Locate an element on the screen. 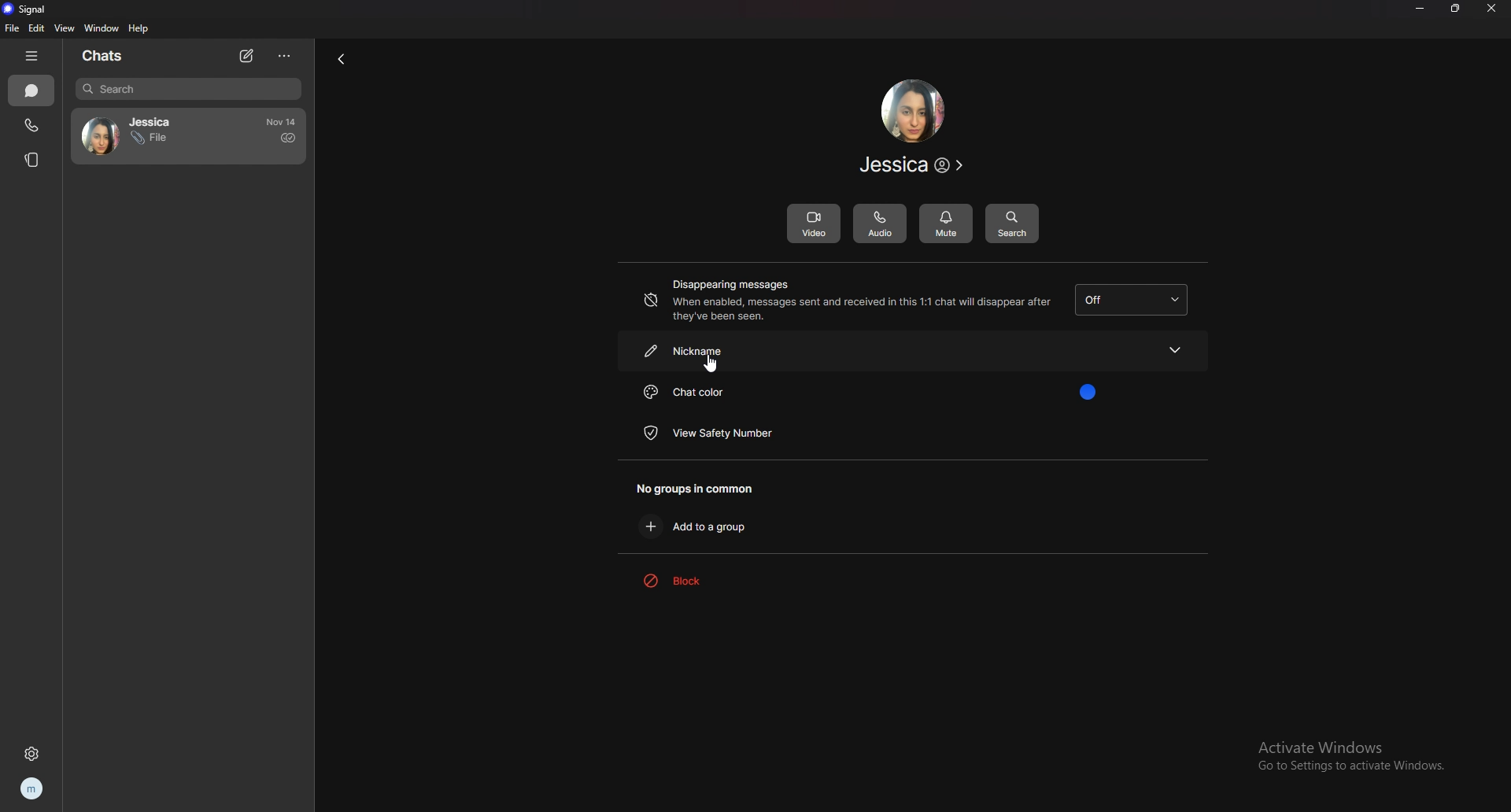  mute is located at coordinates (946, 223).